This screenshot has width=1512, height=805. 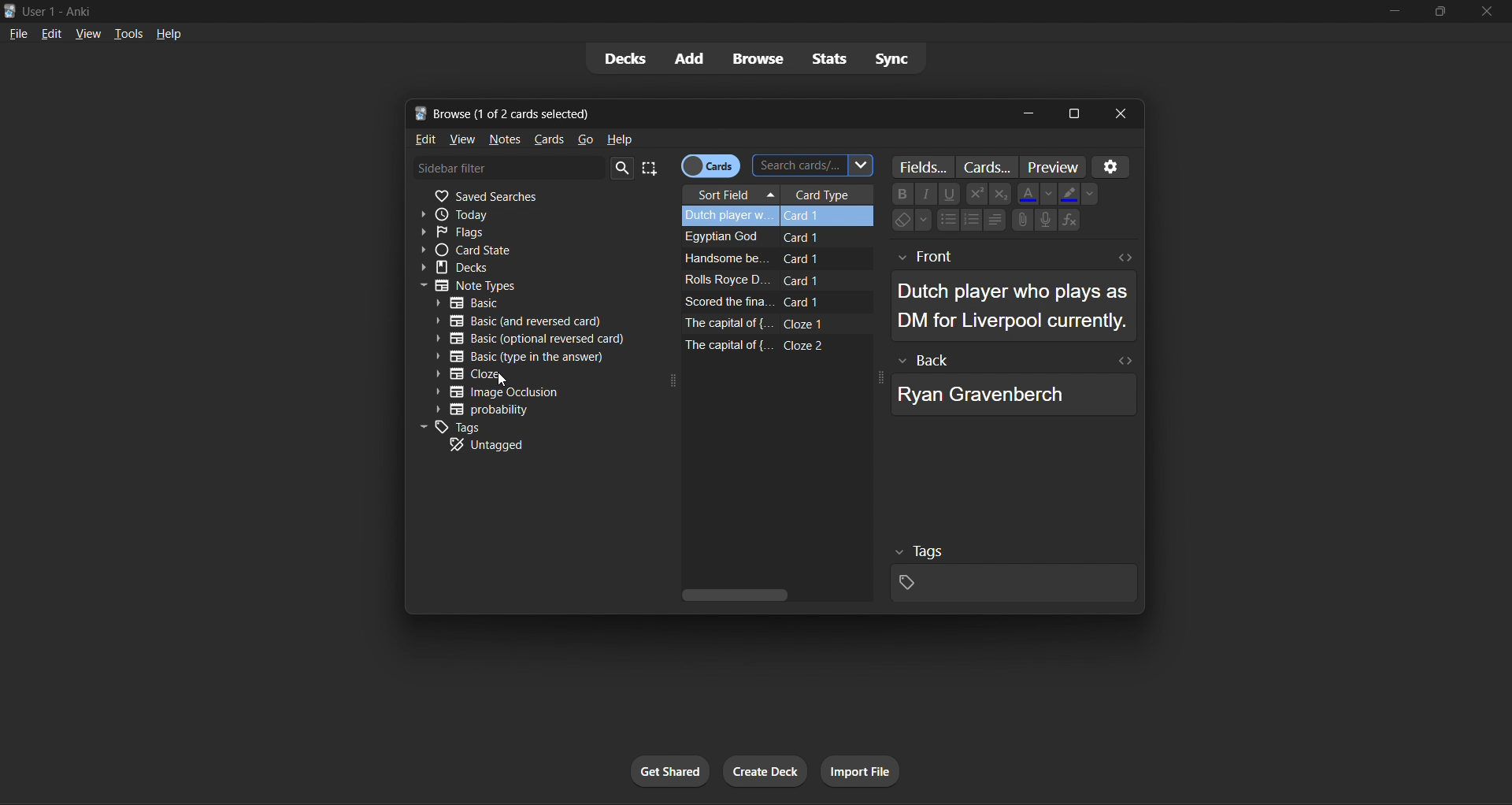 What do you see at coordinates (755, 58) in the screenshot?
I see `browse` at bounding box center [755, 58].